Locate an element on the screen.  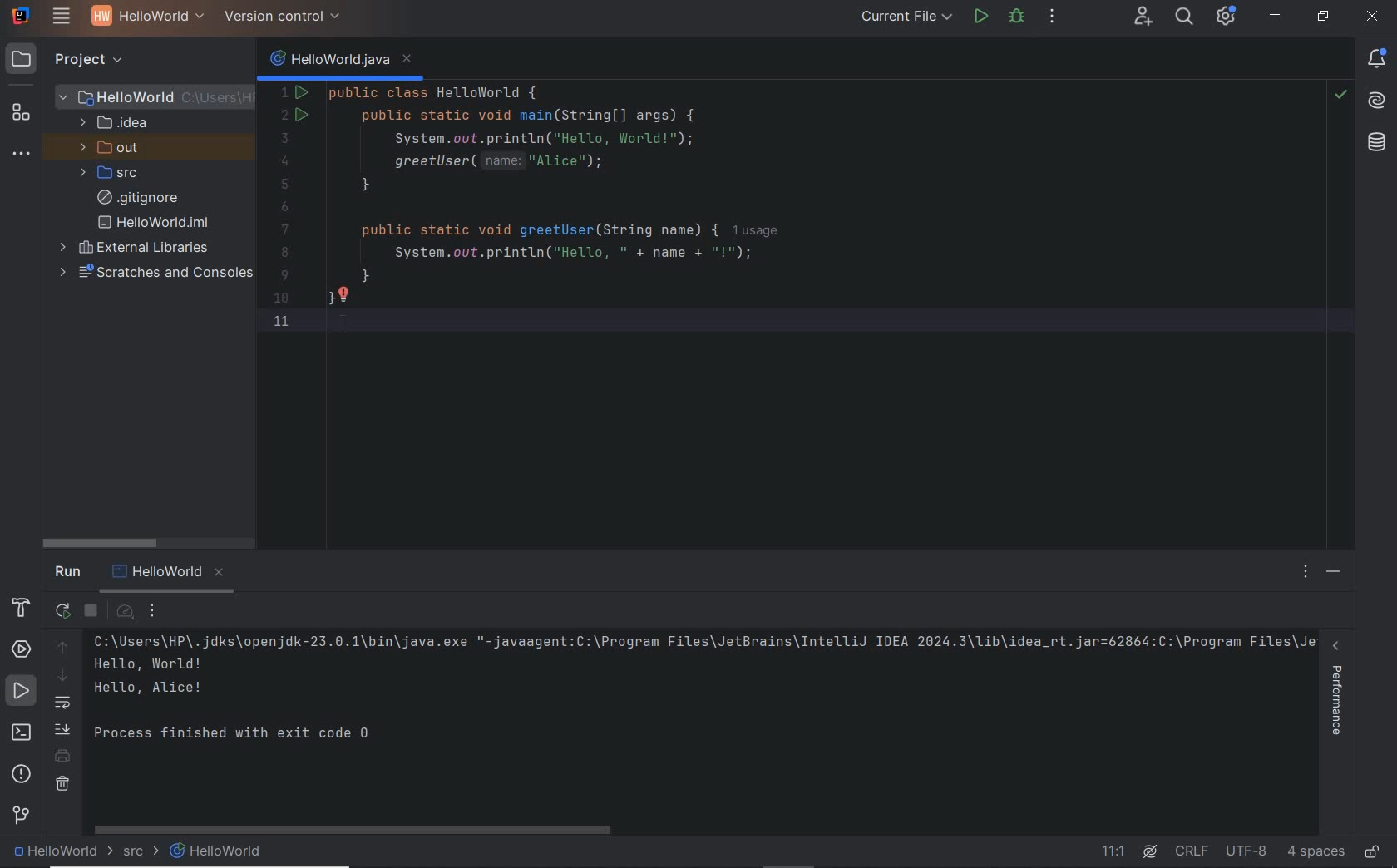
version control is located at coordinates (21, 817).